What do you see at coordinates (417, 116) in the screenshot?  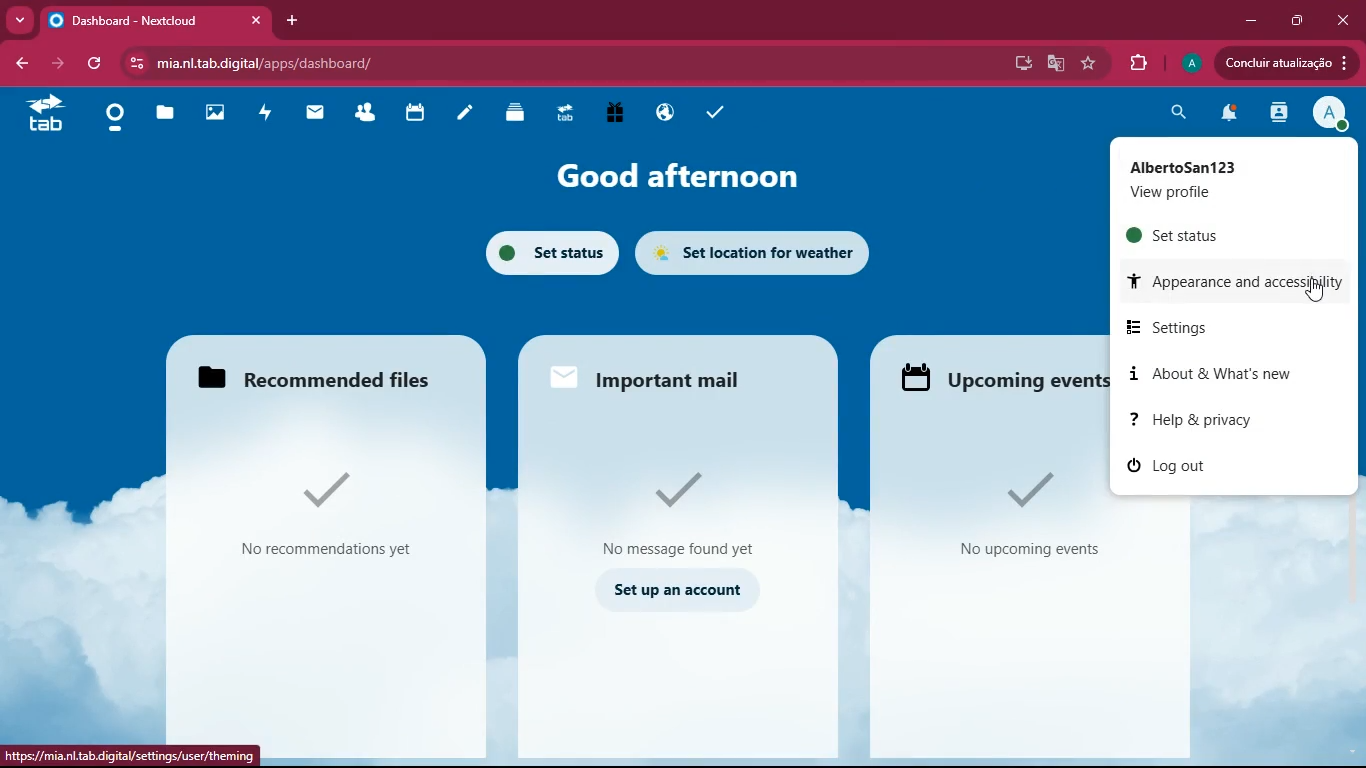 I see `calendar` at bounding box center [417, 116].